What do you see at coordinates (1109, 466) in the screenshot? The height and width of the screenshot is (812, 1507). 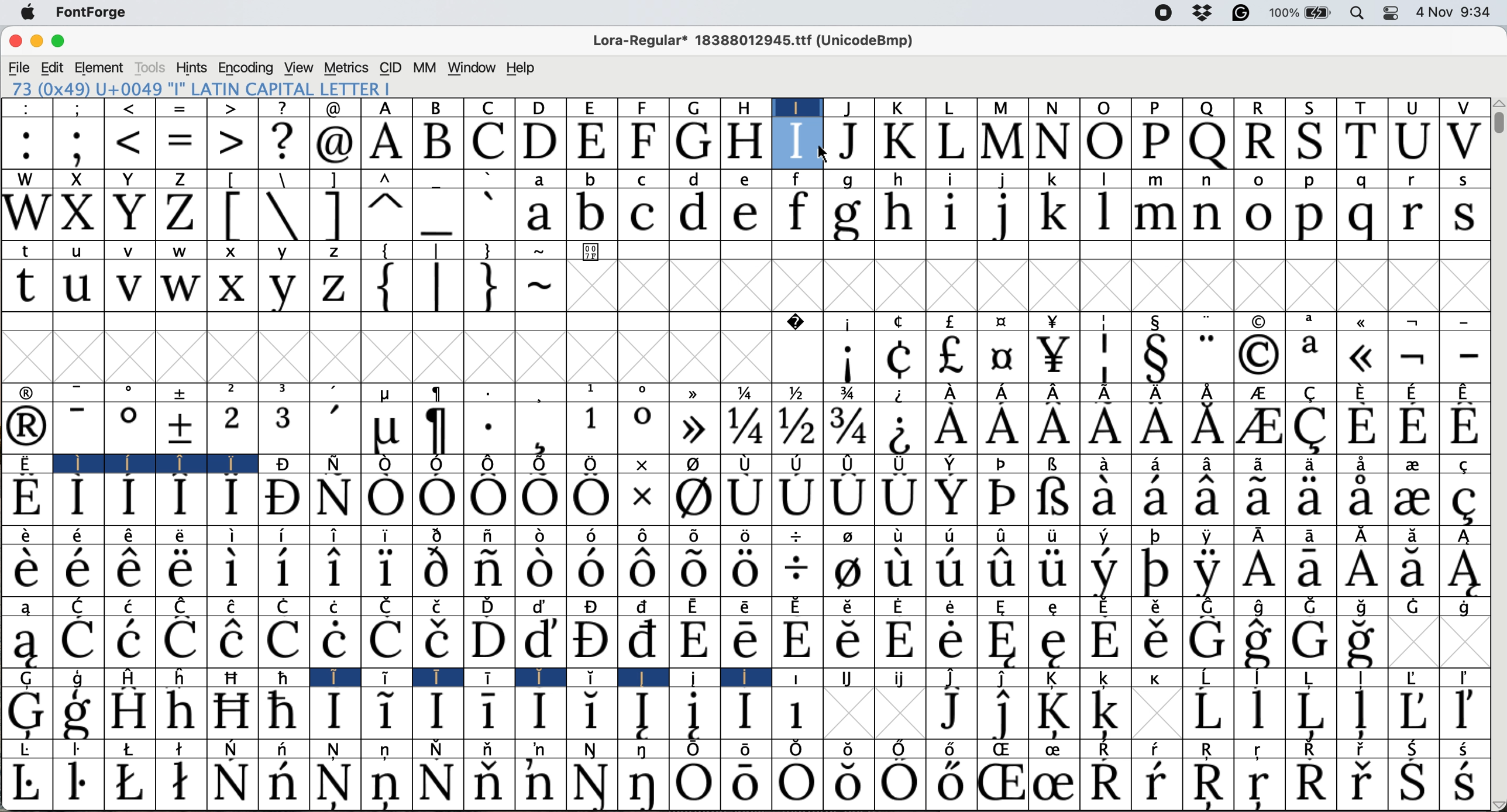 I see `symbol` at bounding box center [1109, 466].